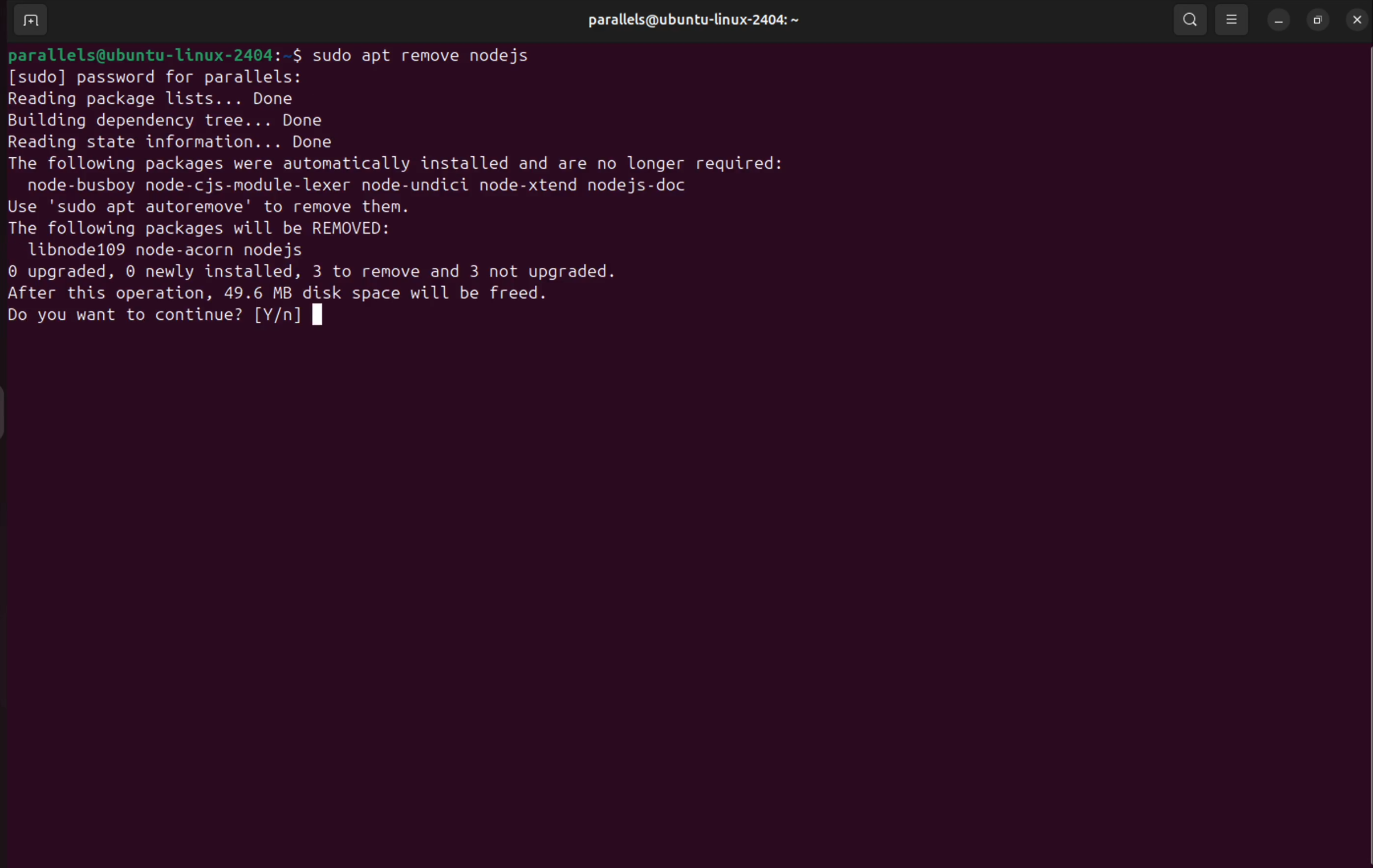  What do you see at coordinates (439, 55) in the screenshot?
I see `sudo apt remove nodejs` at bounding box center [439, 55].